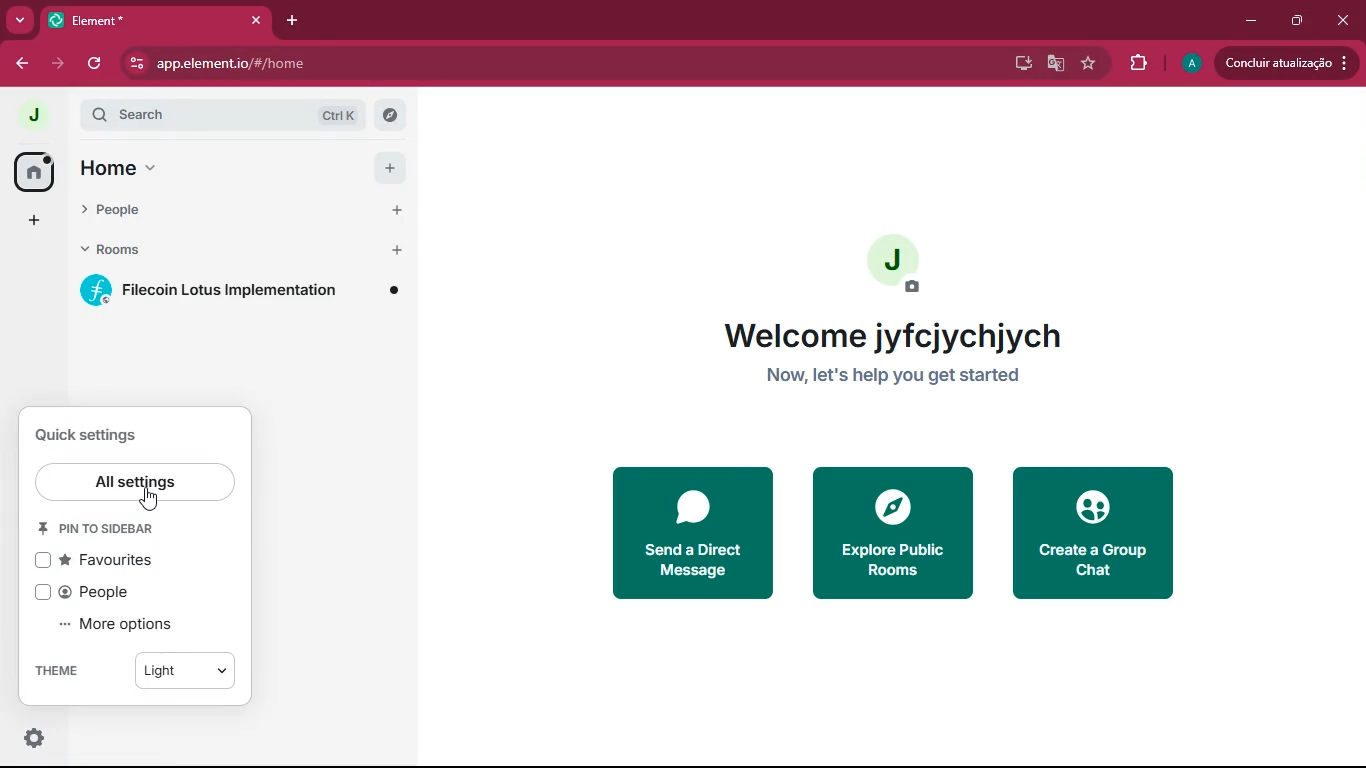 The width and height of the screenshot is (1366, 768). What do you see at coordinates (36, 739) in the screenshot?
I see `settings` at bounding box center [36, 739].